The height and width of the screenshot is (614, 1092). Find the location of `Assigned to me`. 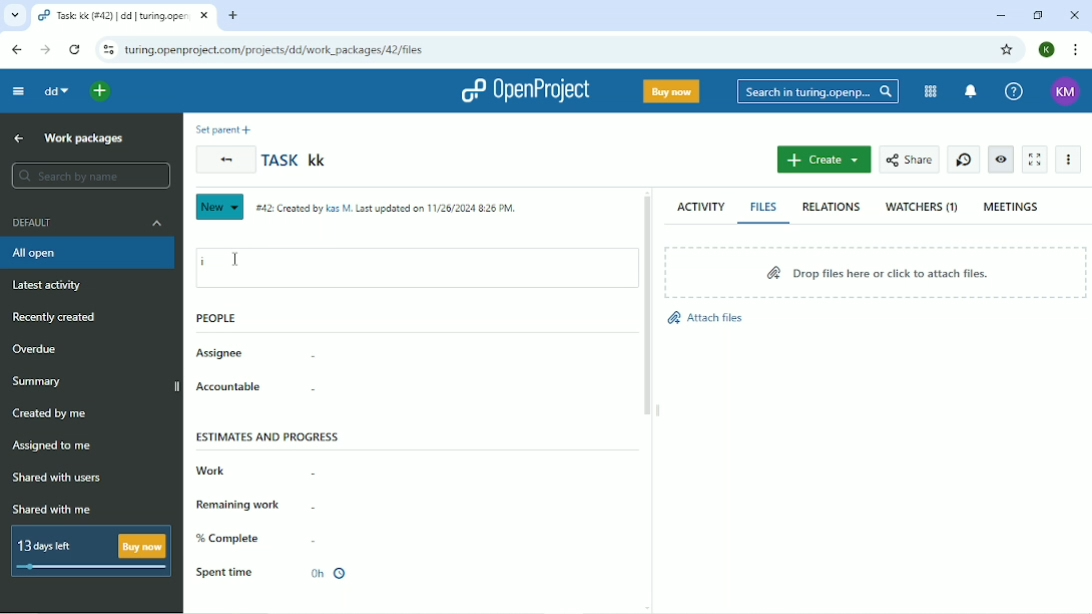

Assigned to me is located at coordinates (54, 446).